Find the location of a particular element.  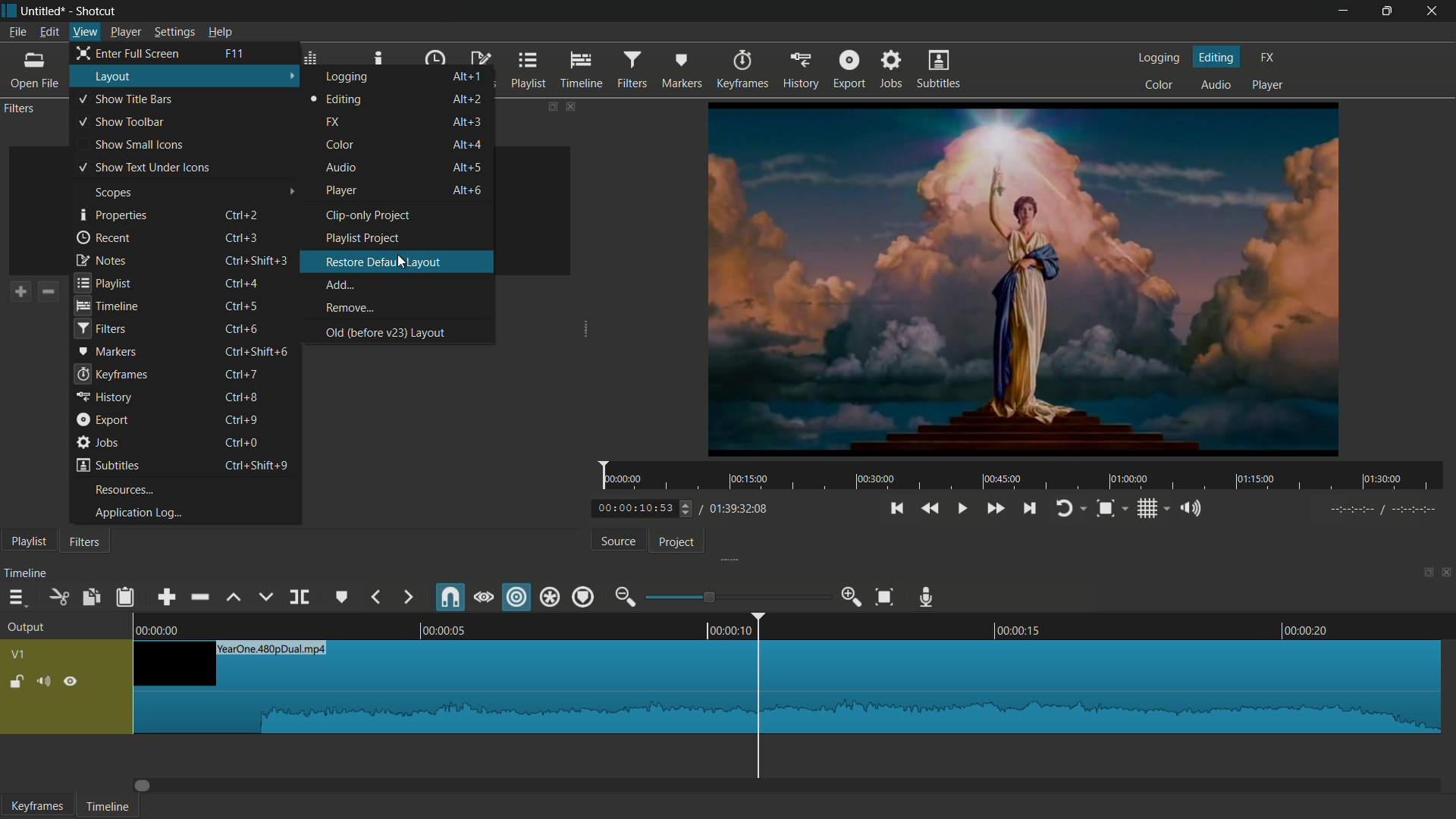

keyboard shortcut is located at coordinates (468, 121).